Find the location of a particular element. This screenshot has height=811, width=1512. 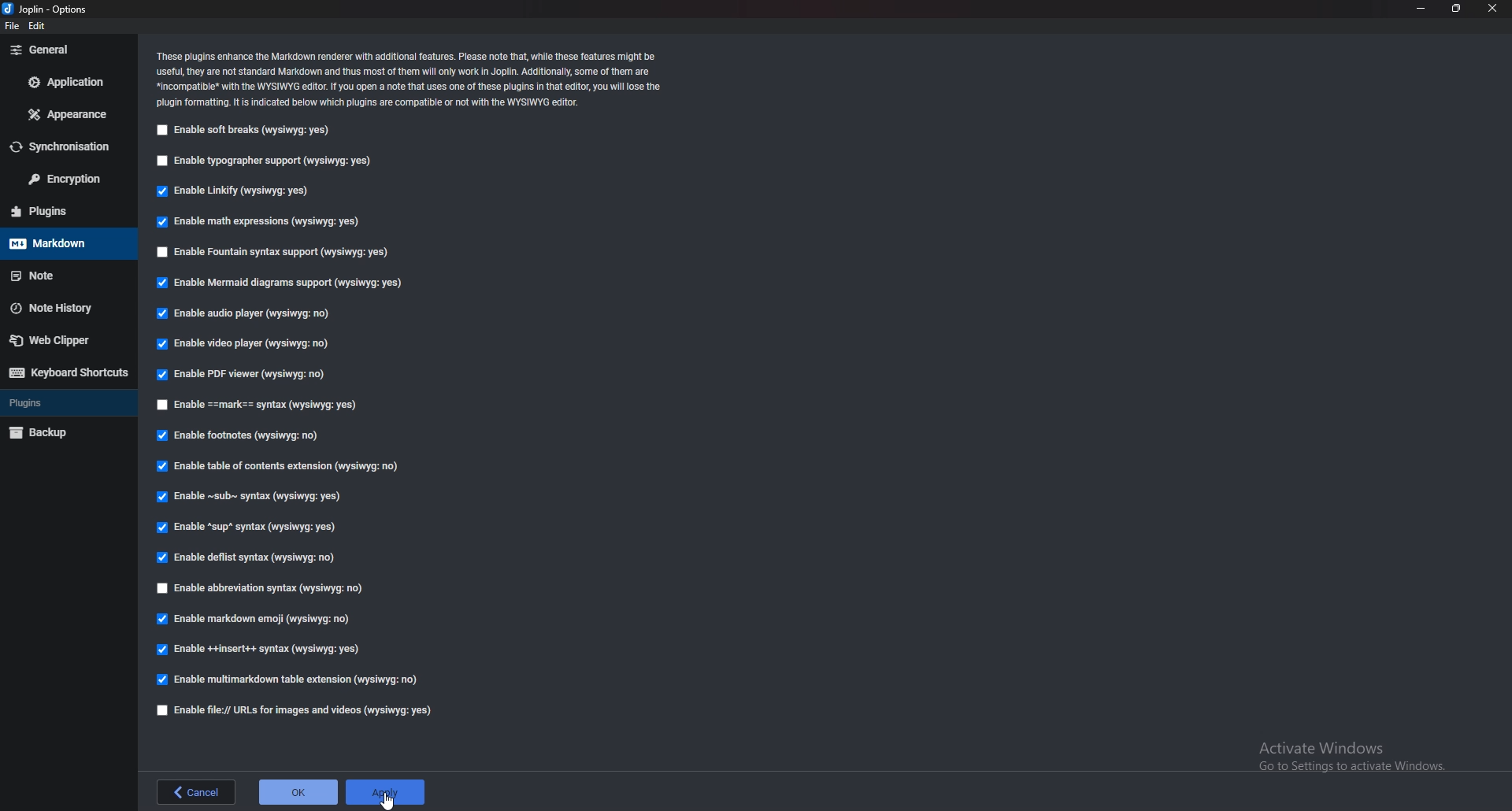

Enable fountain syntax support is located at coordinates (287, 253).